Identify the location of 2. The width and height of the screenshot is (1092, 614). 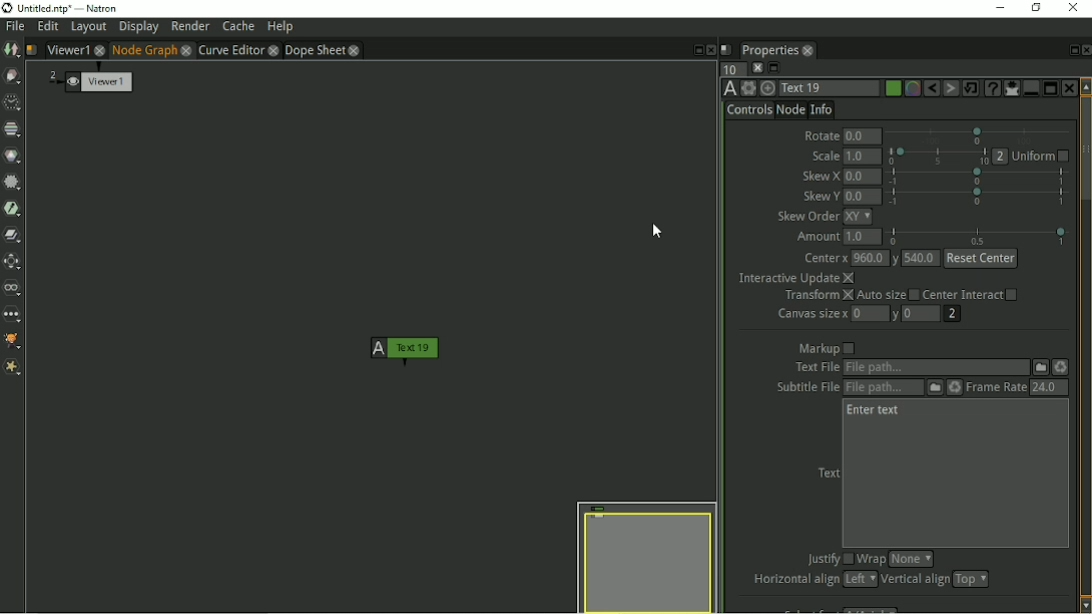
(1001, 155).